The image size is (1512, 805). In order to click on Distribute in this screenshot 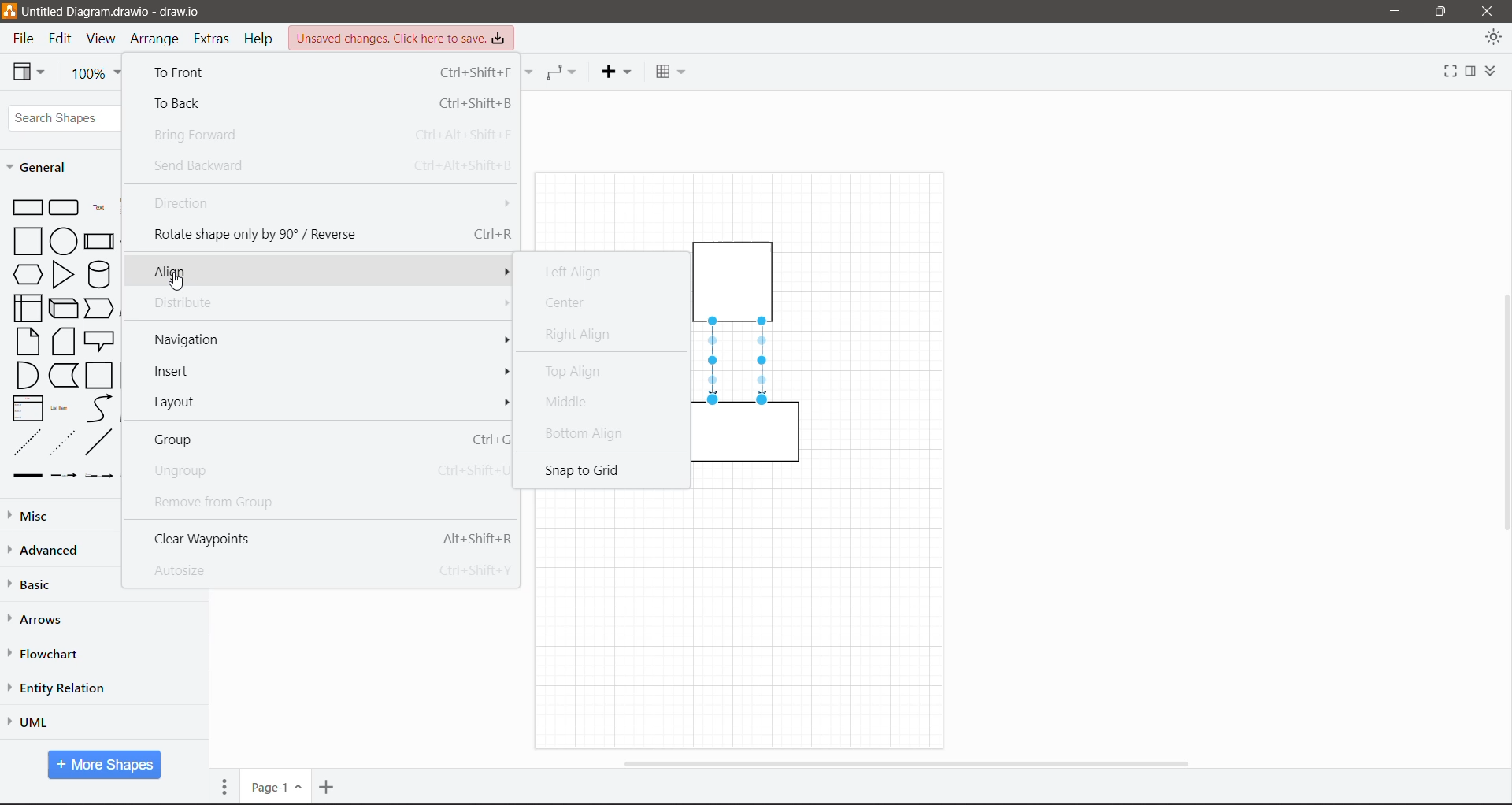, I will do `click(328, 303)`.